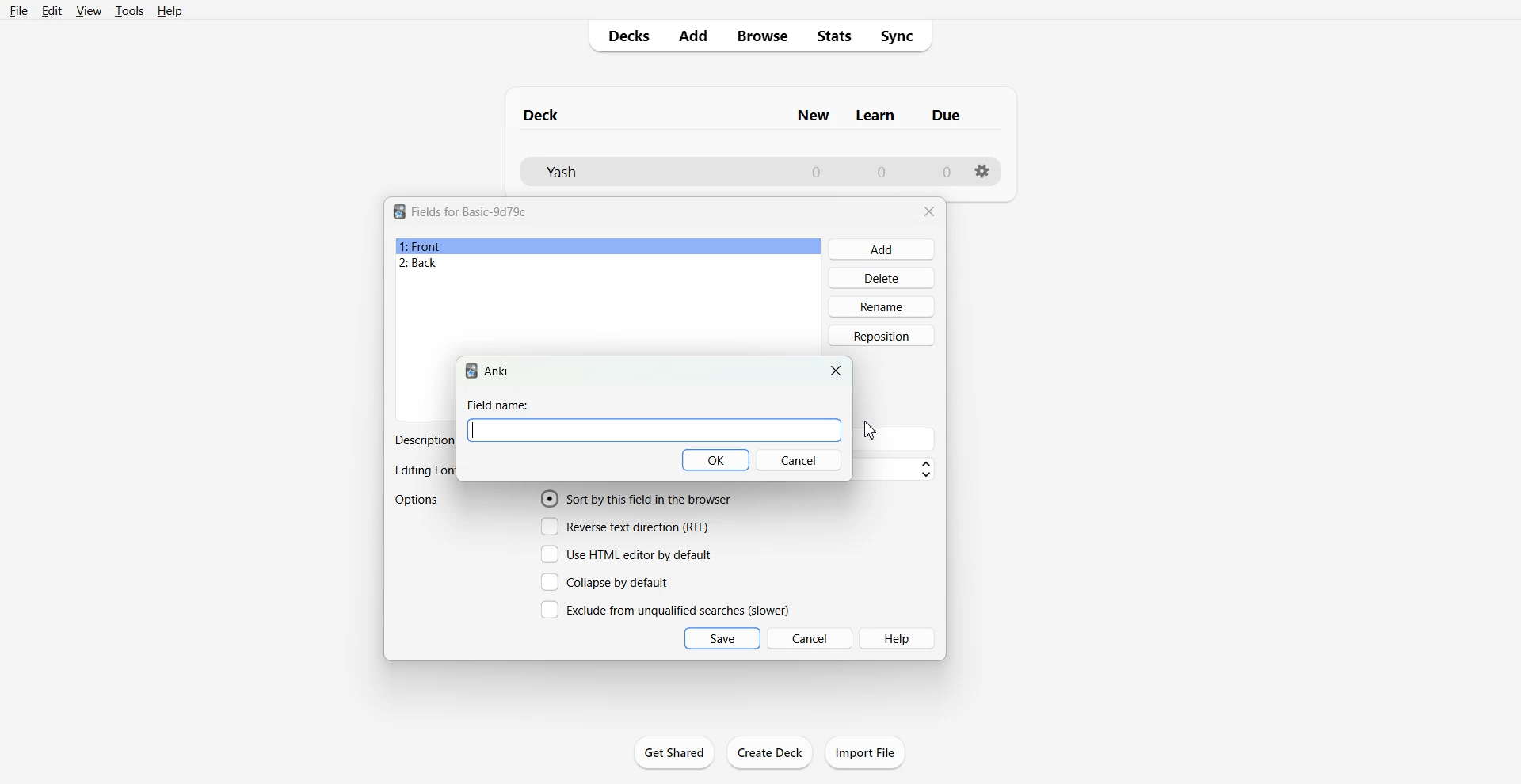  Describe the element at coordinates (875, 116) in the screenshot. I see `Column name` at that location.